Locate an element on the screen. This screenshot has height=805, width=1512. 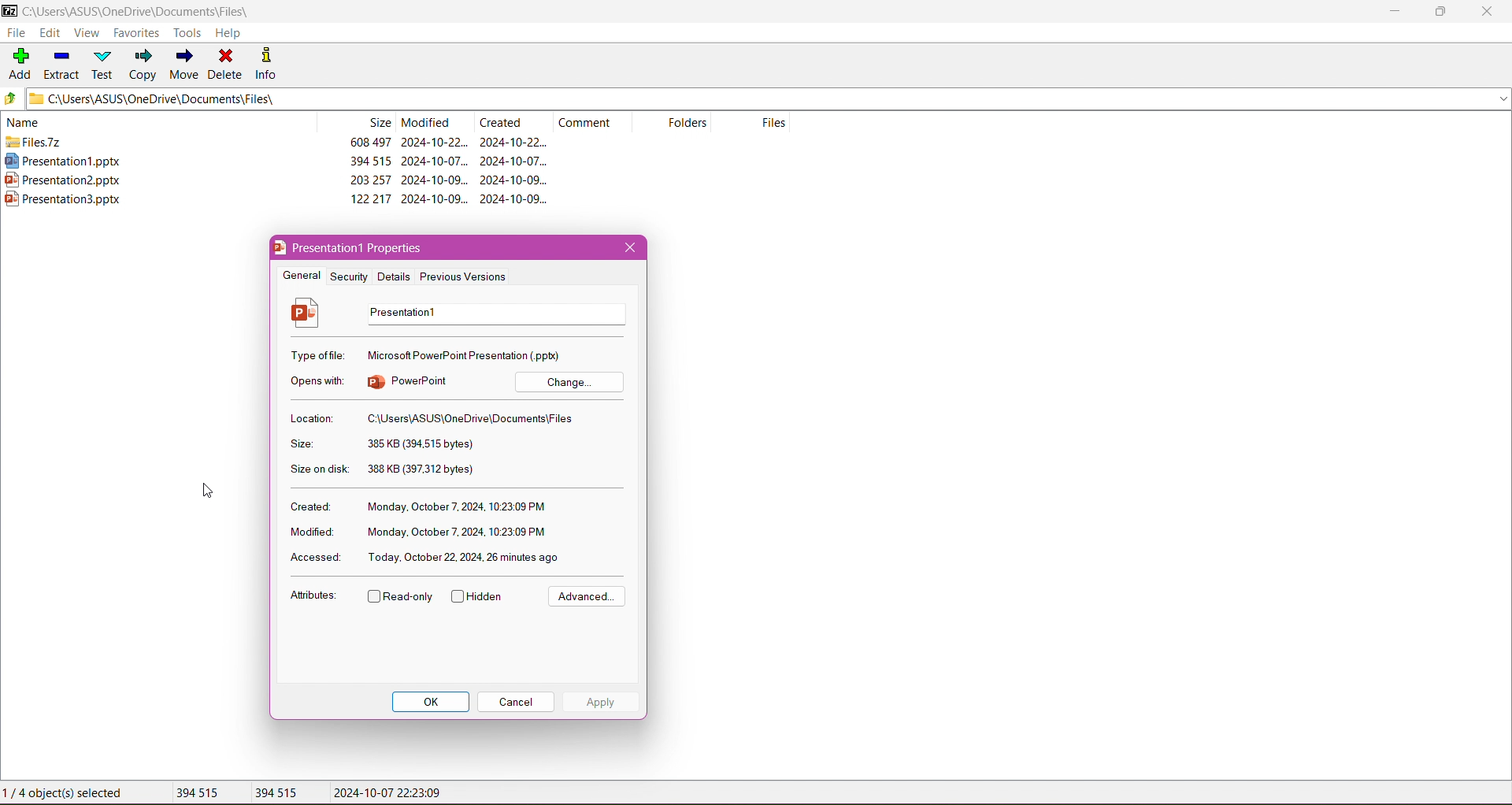
Opens with: is located at coordinates (318, 384).